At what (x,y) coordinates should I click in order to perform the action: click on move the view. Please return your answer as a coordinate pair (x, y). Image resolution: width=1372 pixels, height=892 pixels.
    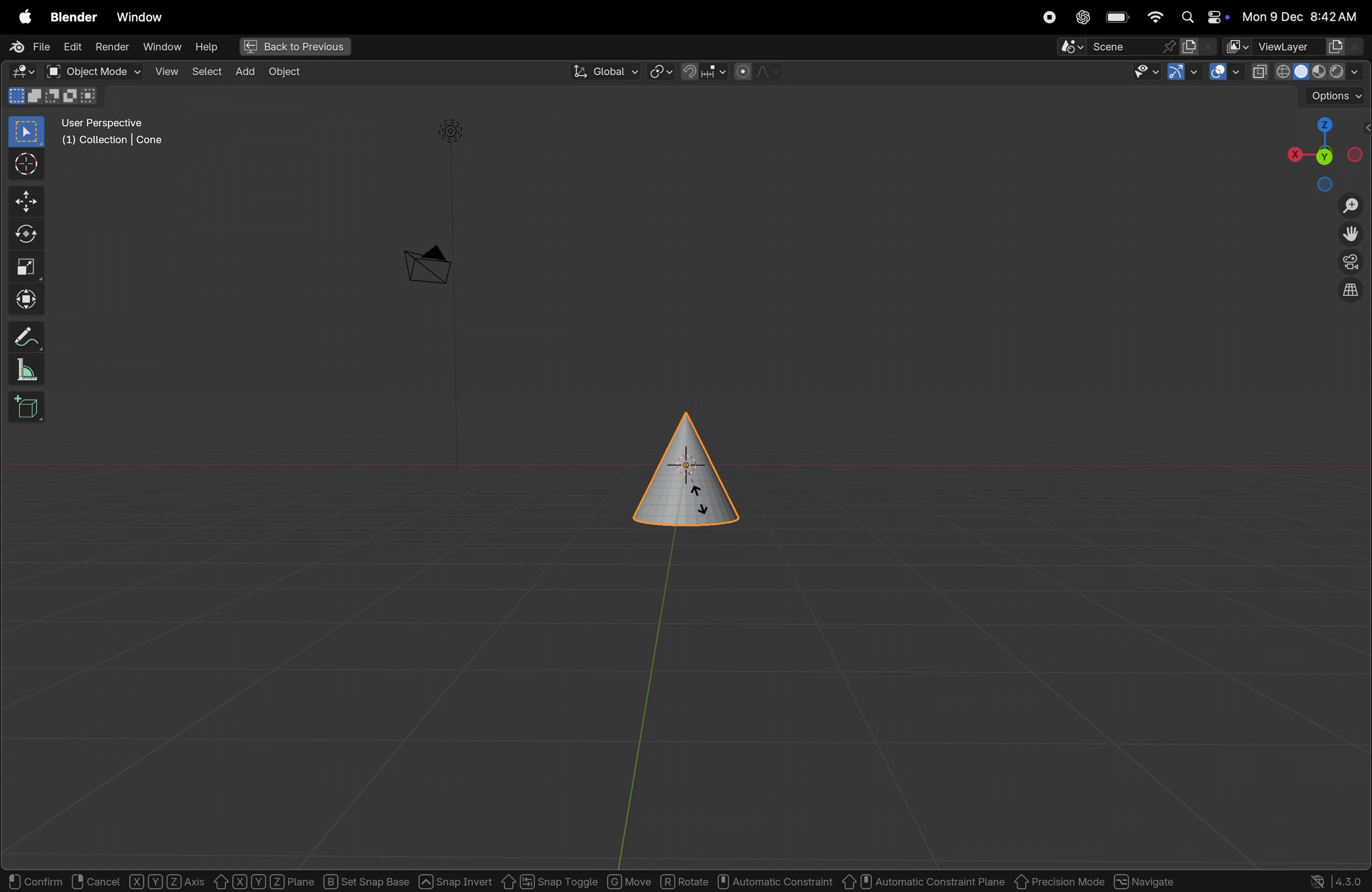
    Looking at the image, I should click on (1351, 233).